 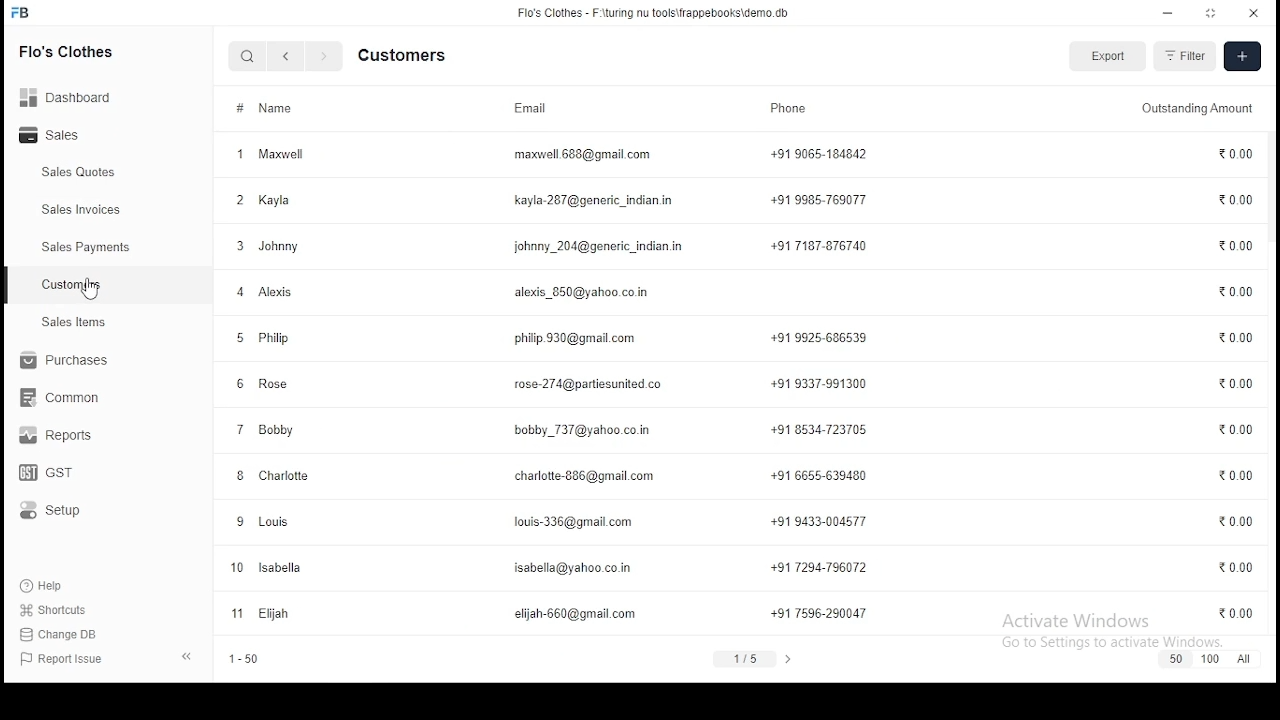 I want to click on phone, so click(x=791, y=109).